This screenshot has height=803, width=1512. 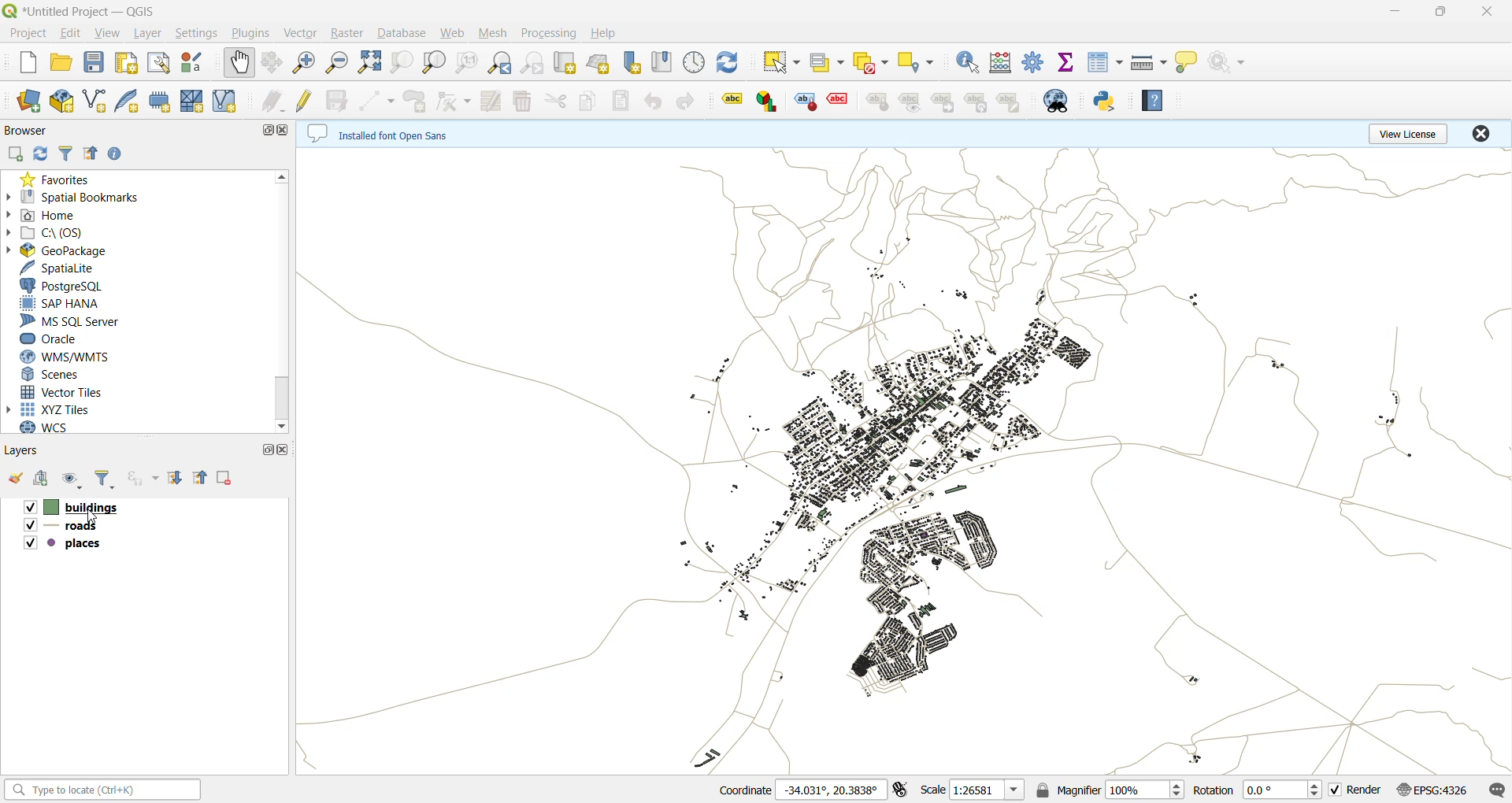 What do you see at coordinates (87, 11) in the screenshot?
I see `app name and file name` at bounding box center [87, 11].